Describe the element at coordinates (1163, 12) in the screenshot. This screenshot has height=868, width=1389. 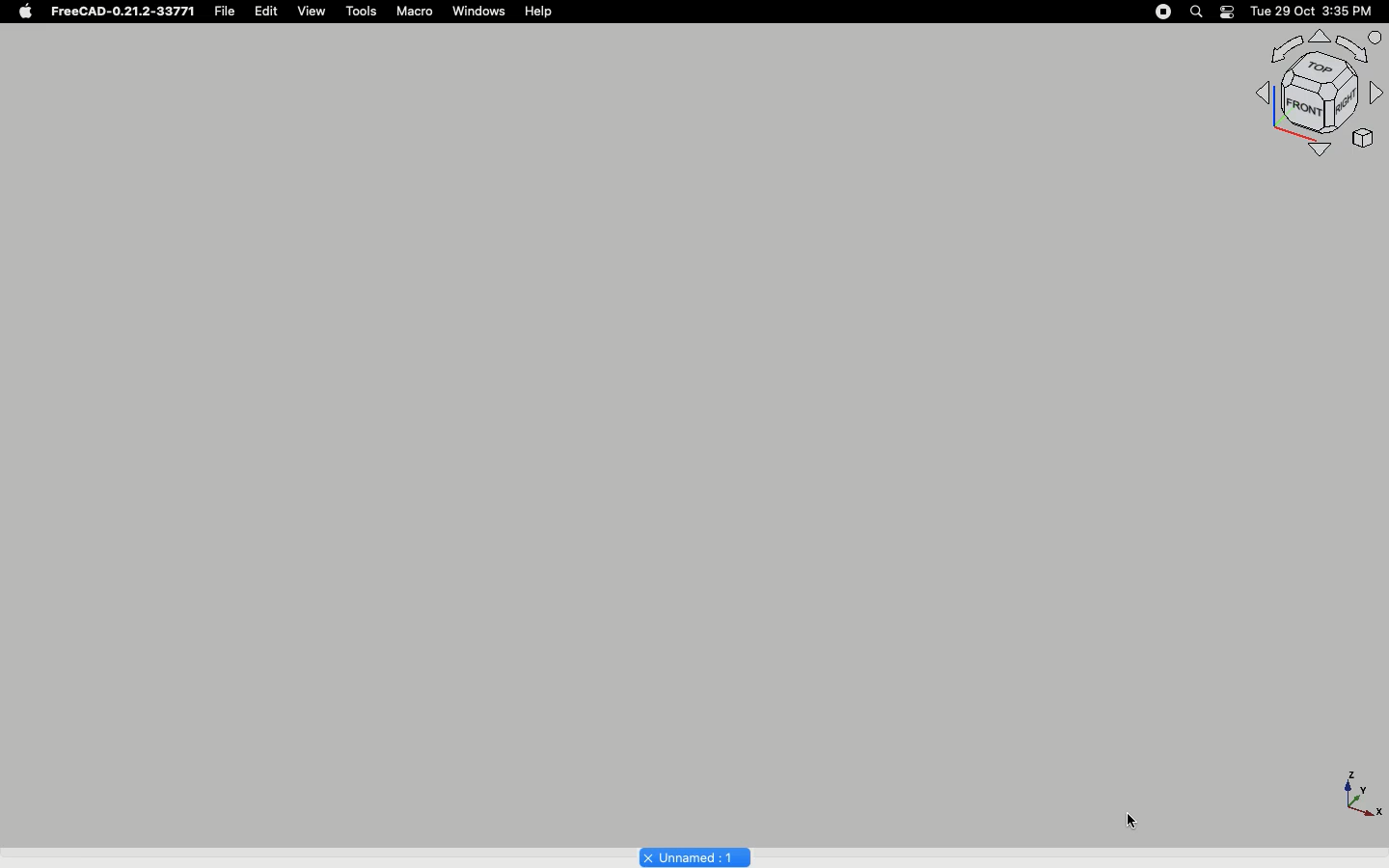
I see `pause` at that location.